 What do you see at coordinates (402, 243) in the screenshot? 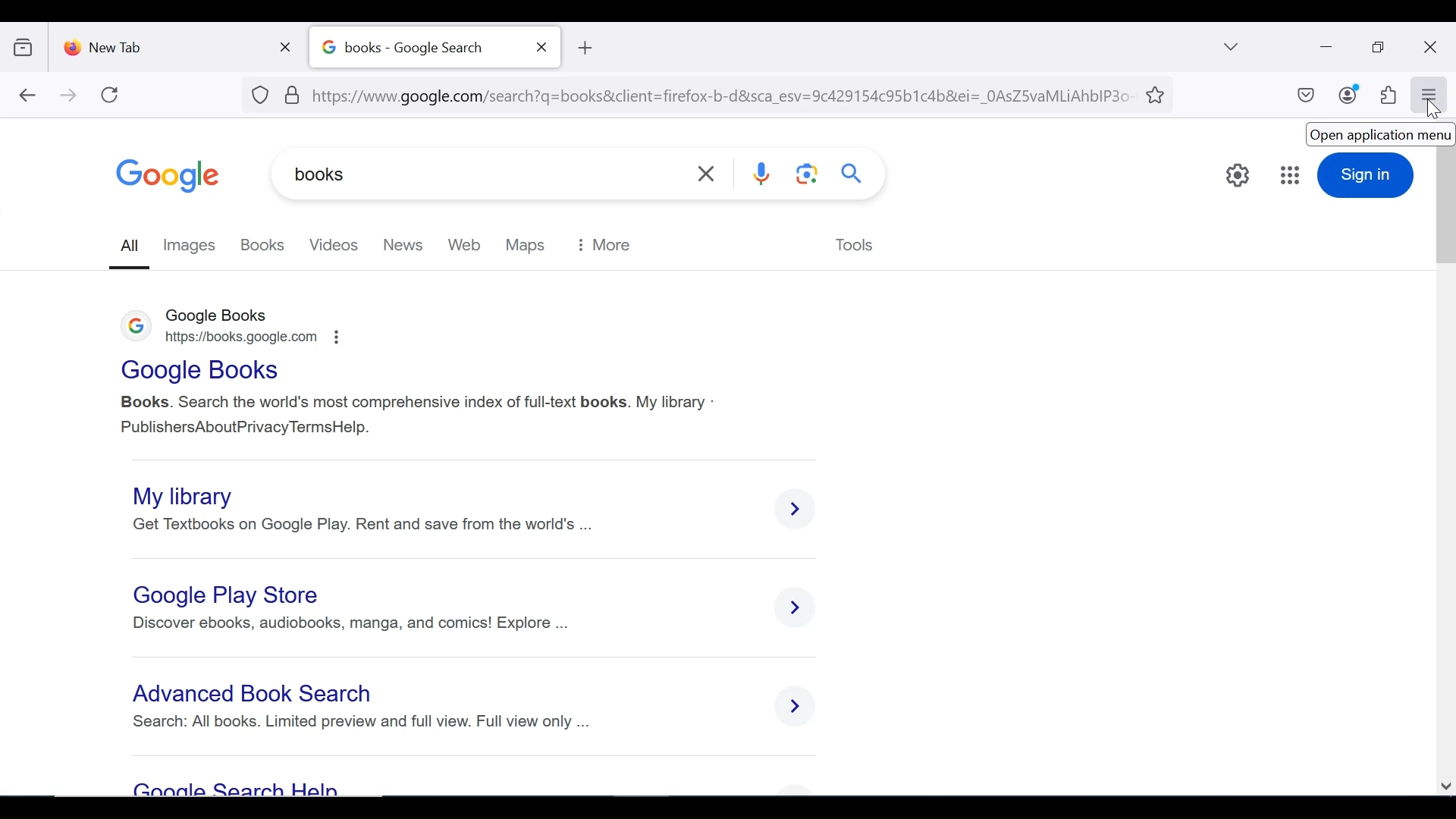
I see `new` at bounding box center [402, 243].